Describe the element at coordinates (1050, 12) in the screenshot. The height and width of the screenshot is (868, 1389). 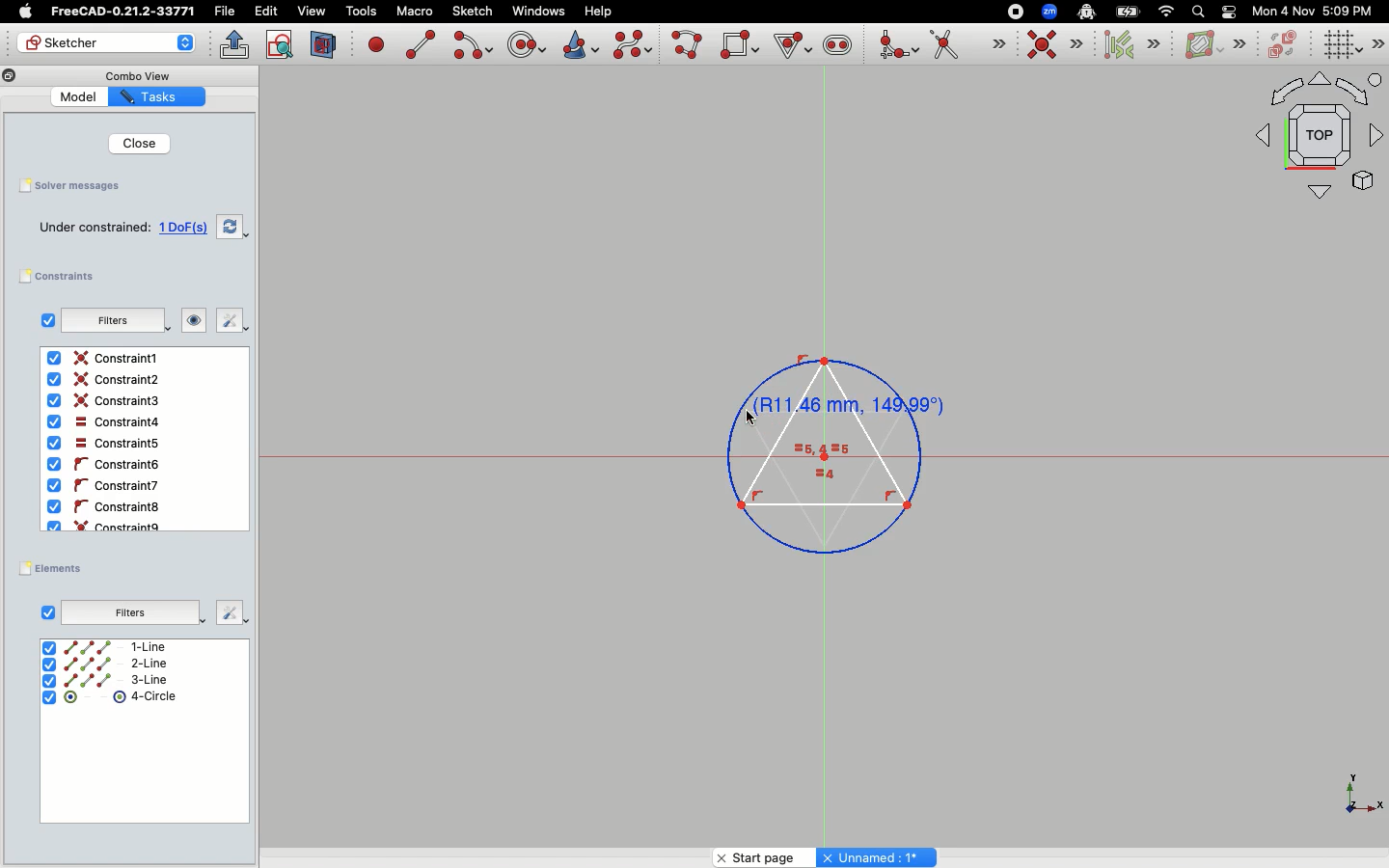
I see `Zoom` at that location.